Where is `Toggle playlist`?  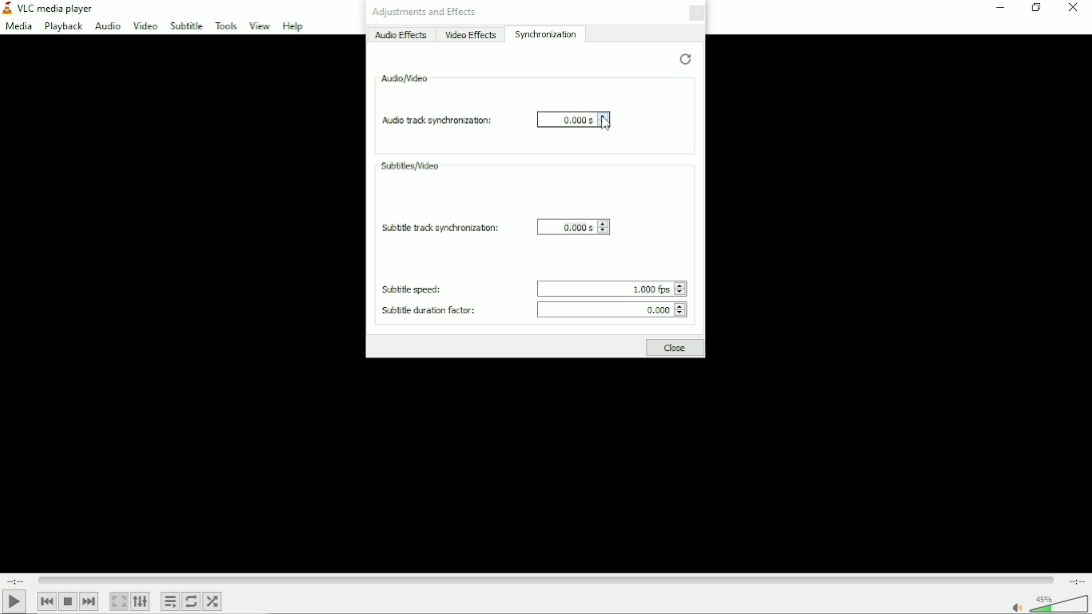 Toggle playlist is located at coordinates (170, 600).